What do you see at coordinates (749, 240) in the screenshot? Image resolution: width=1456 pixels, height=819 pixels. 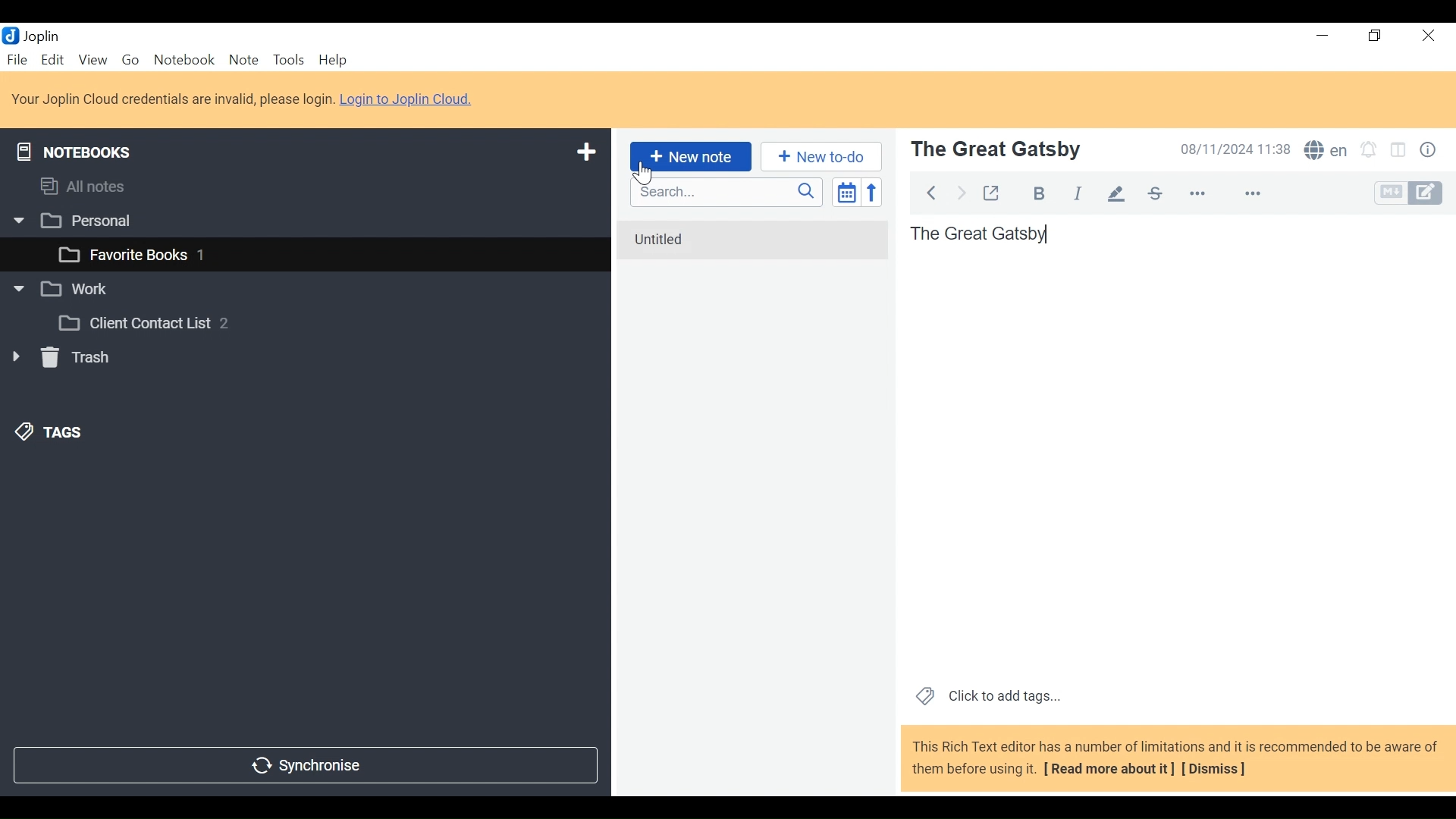 I see `untitled` at bounding box center [749, 240].